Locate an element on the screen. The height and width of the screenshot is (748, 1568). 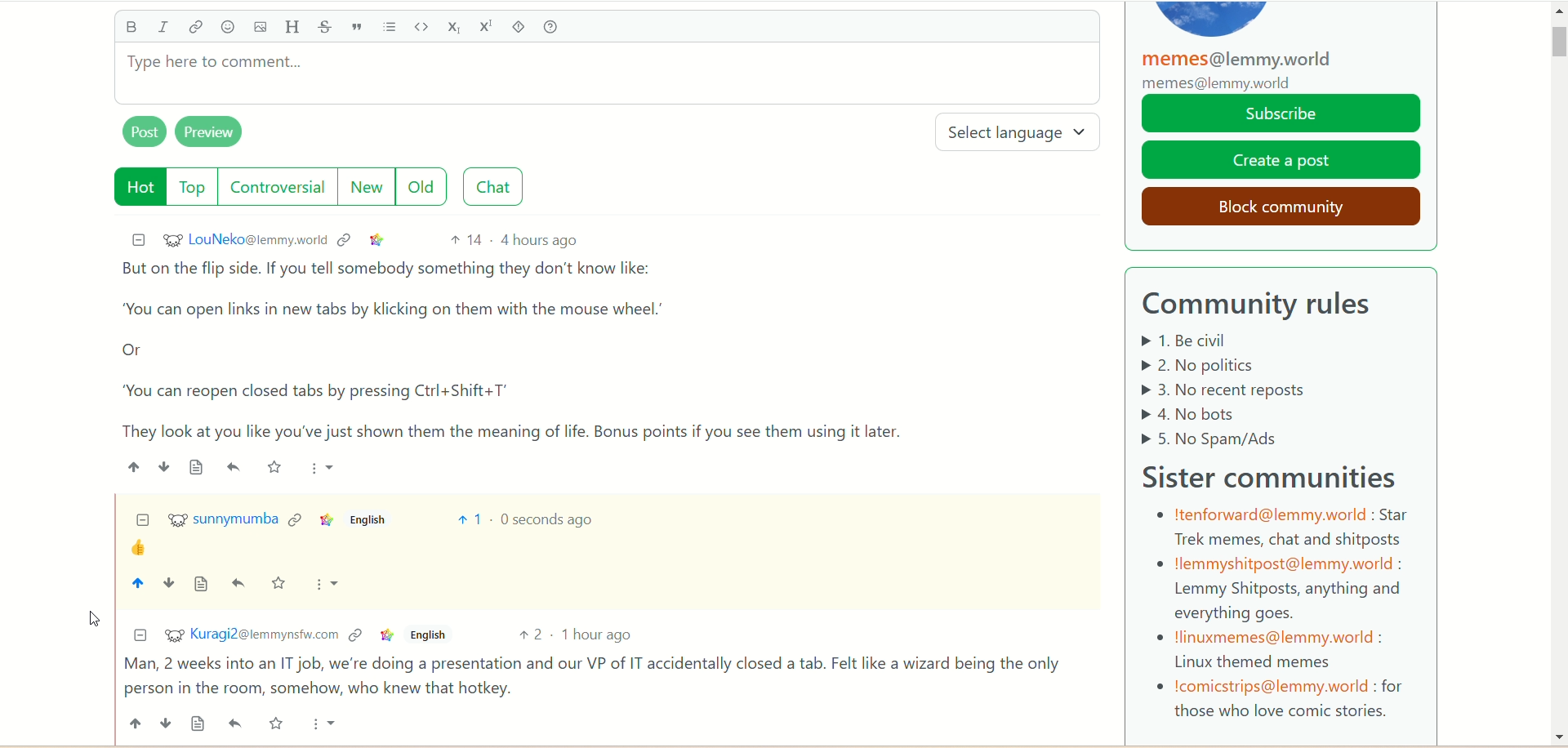
block community is located at coordinates (1275, 204).